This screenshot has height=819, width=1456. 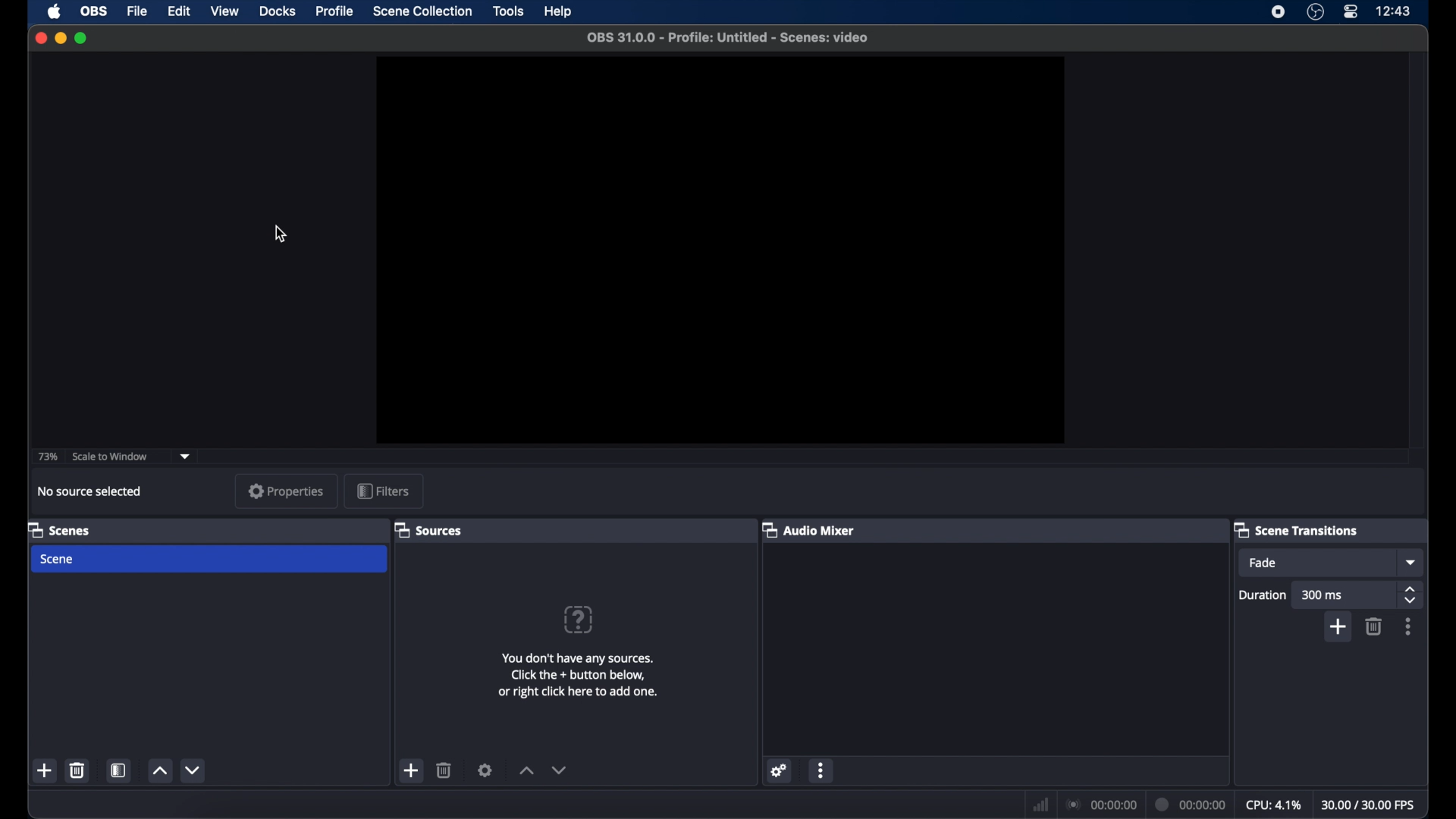 I want to click on view, so click(x=224, y=11).